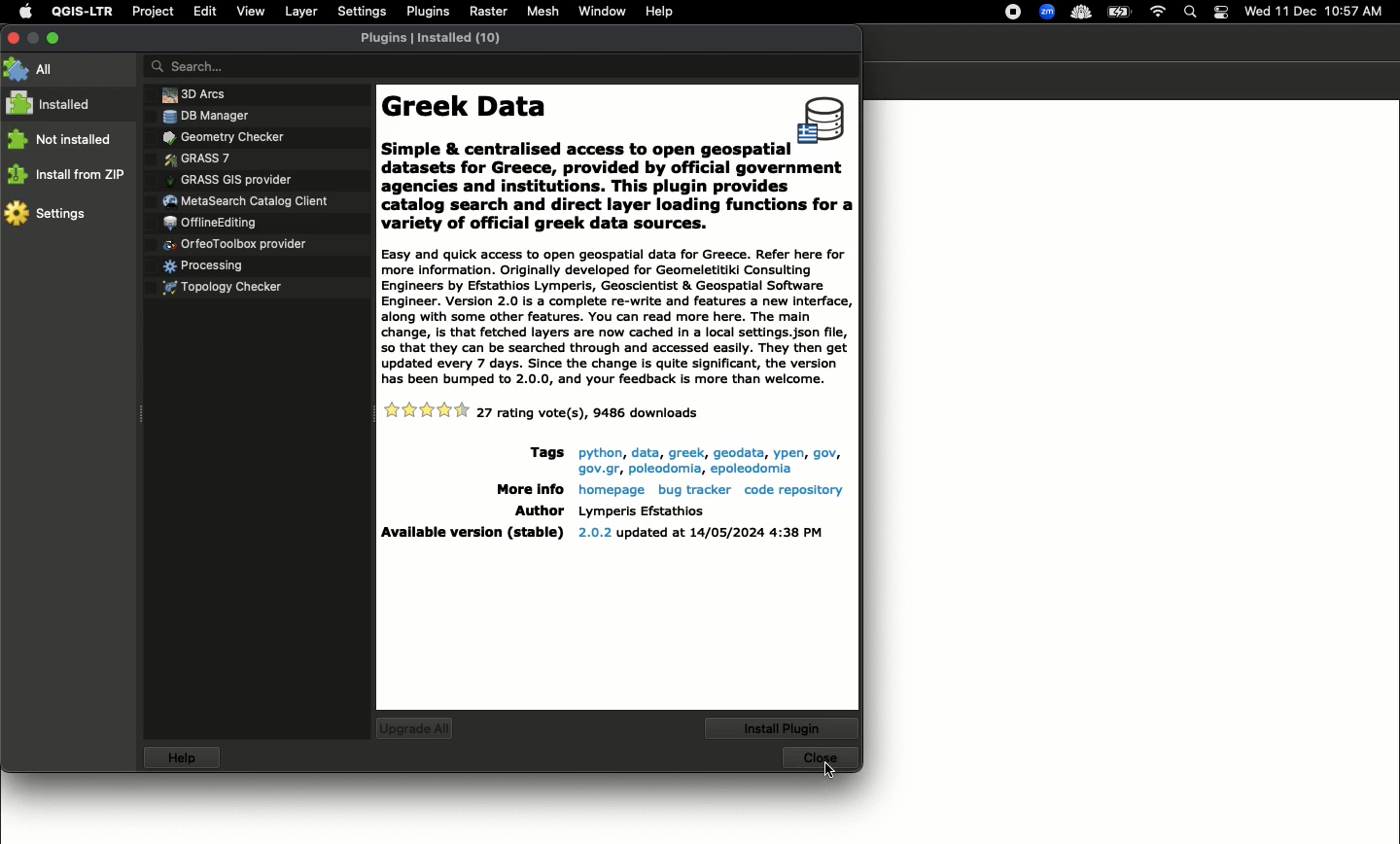 The height and width of the screenshot is (844, 1400). I want to click on Apple logo, so click(25, 13).